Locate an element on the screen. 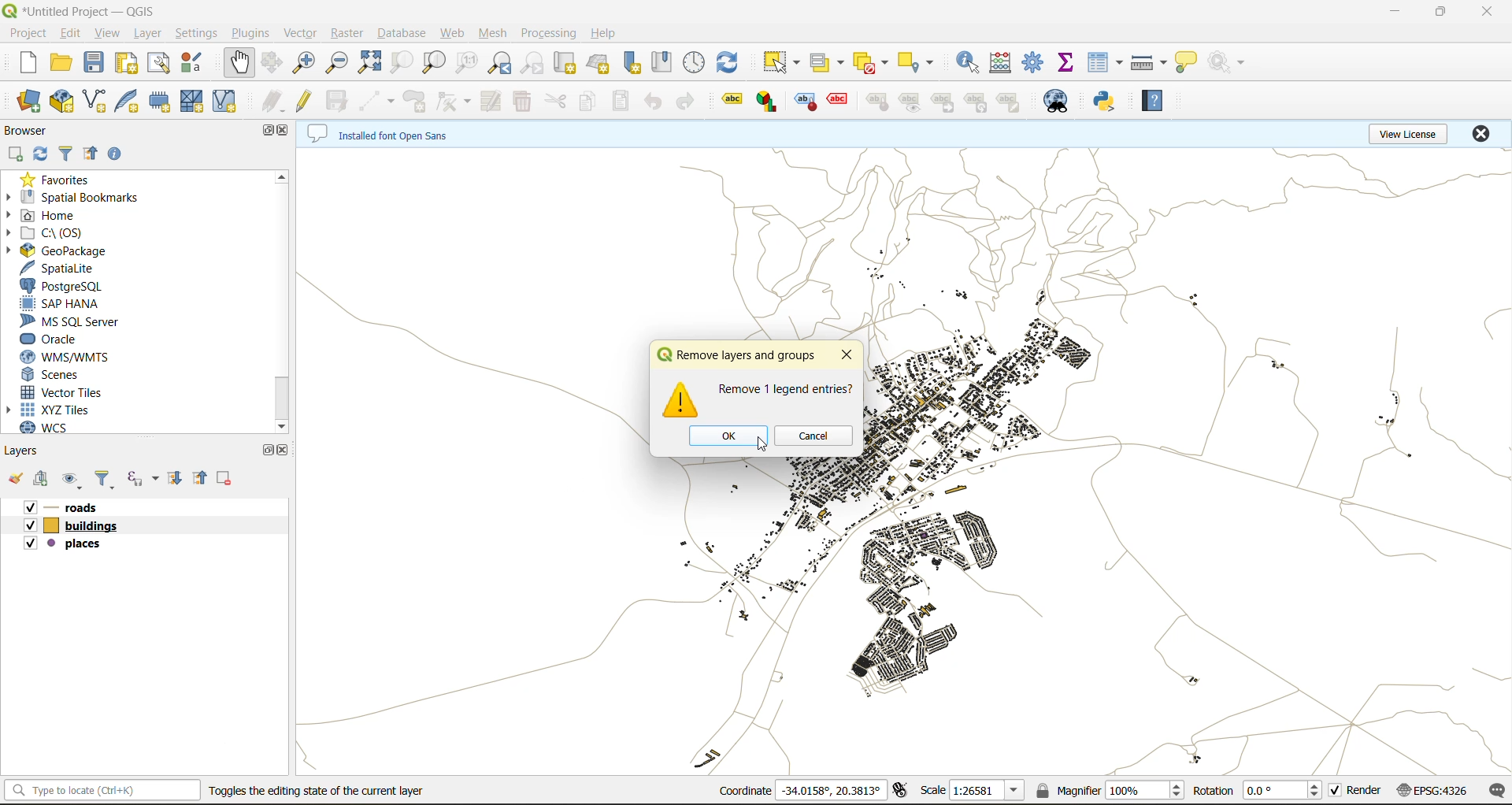 The height and width of the screenshot is (805, 1512). copy is located at coordinates (589, 104).